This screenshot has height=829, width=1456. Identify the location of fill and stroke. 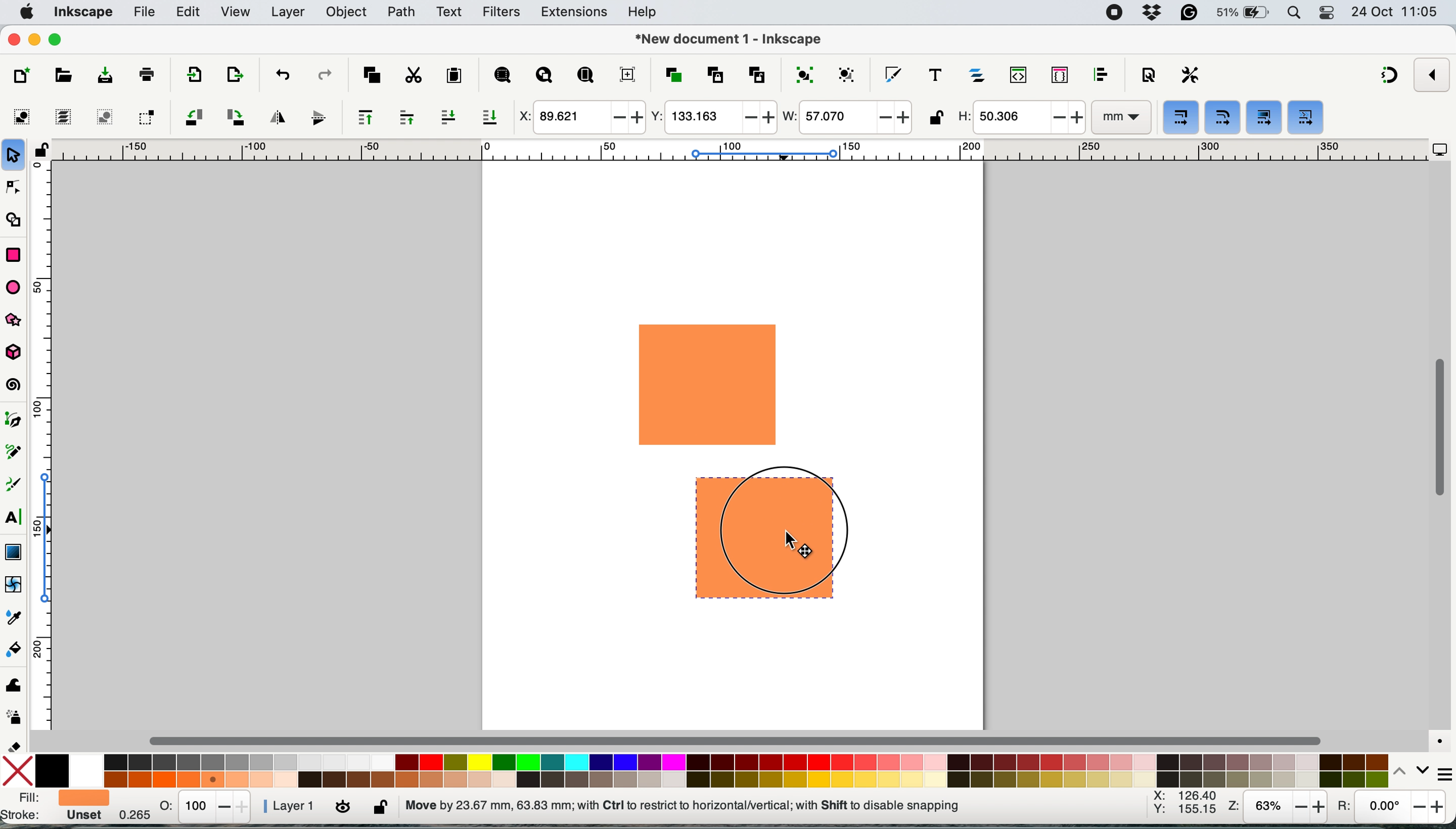
(893, 72).